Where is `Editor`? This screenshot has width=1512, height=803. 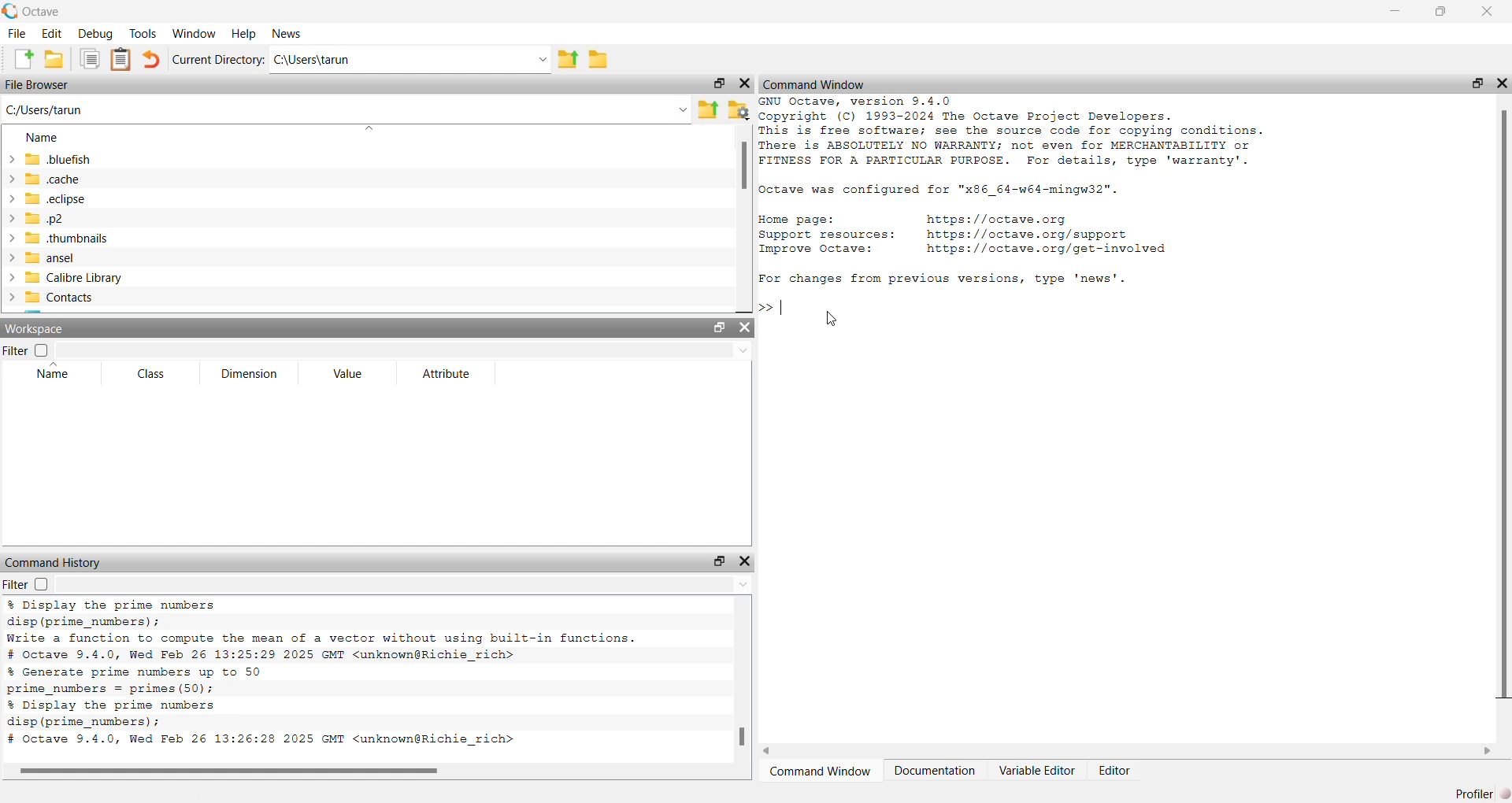
Editor is located at coordinates (1115, 771).